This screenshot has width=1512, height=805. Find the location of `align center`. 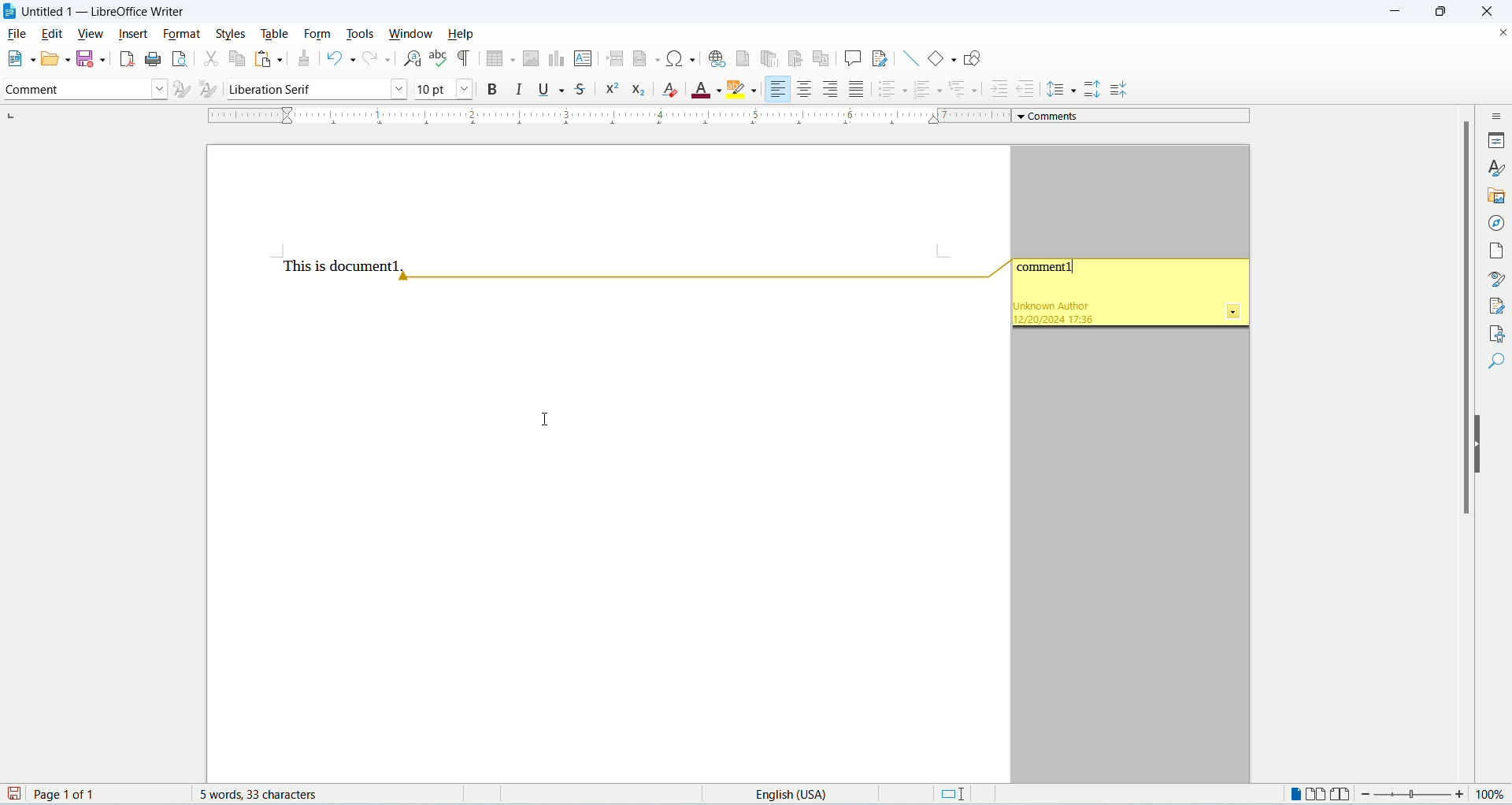

align center is located at coordinates (805, 89).